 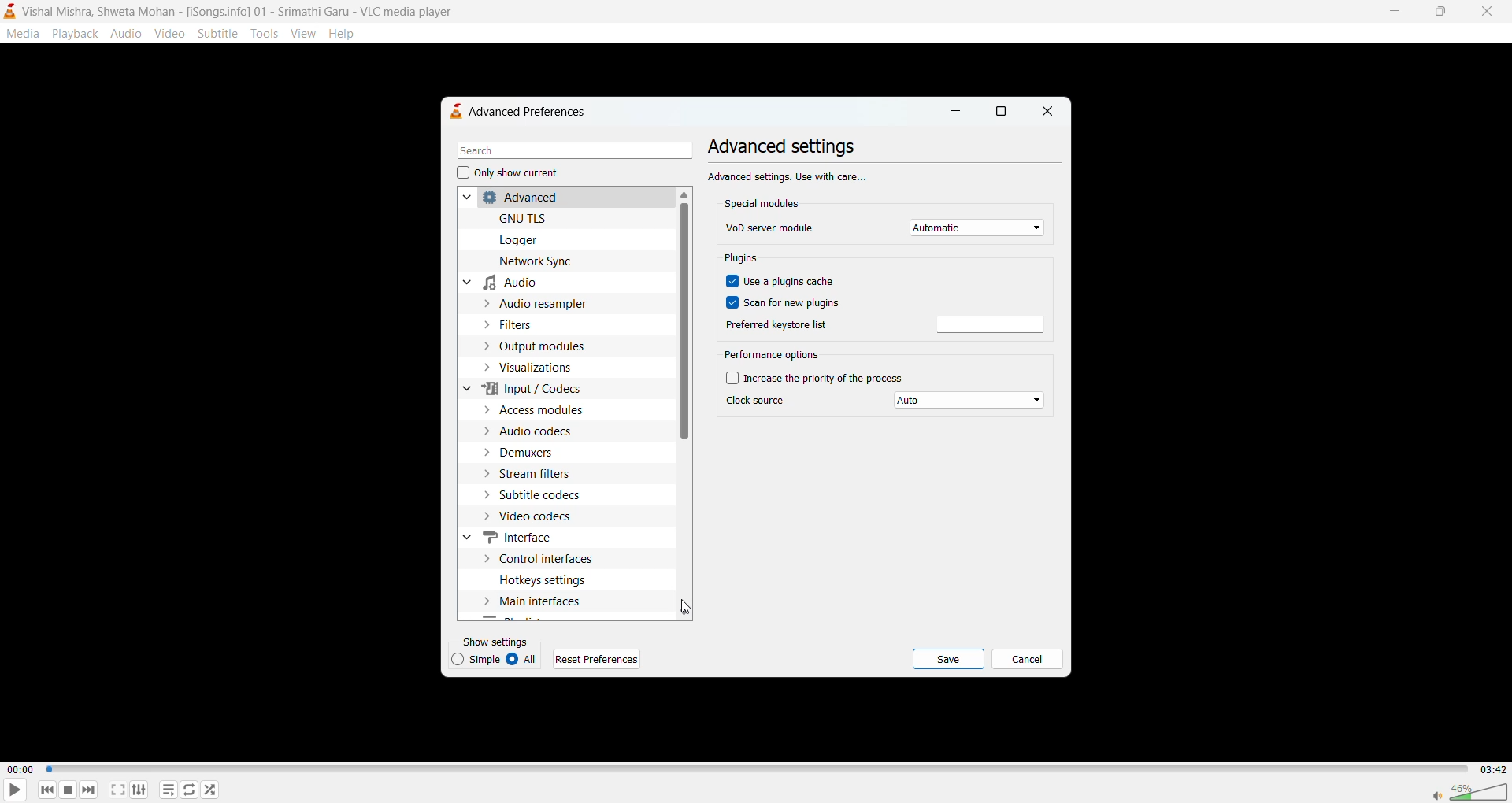 What do you see at coordinates (139, 789) in the screenshot?
I see `settings` at bounding box center [139, 789].